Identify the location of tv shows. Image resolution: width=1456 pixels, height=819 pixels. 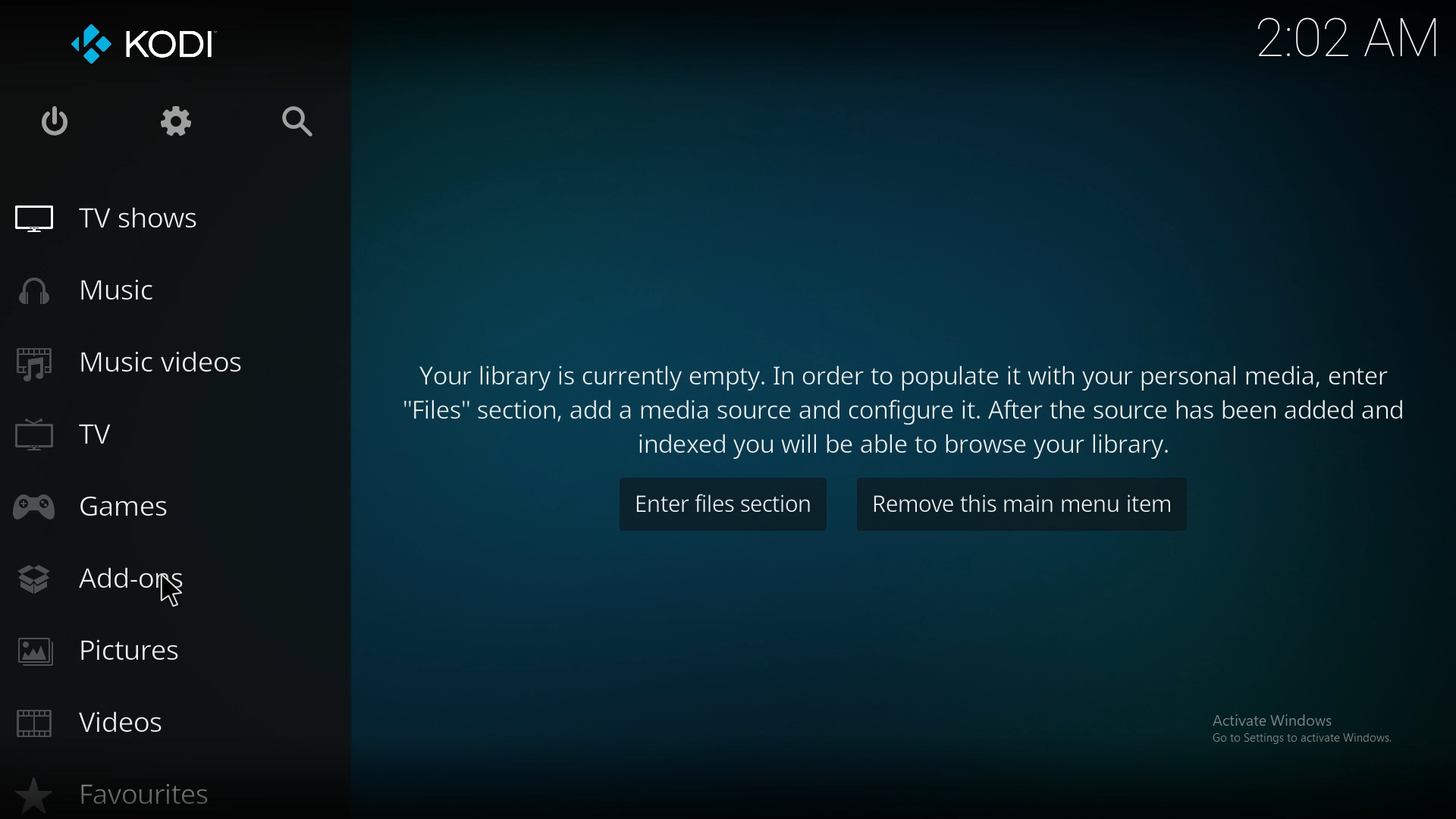
(126, 219).